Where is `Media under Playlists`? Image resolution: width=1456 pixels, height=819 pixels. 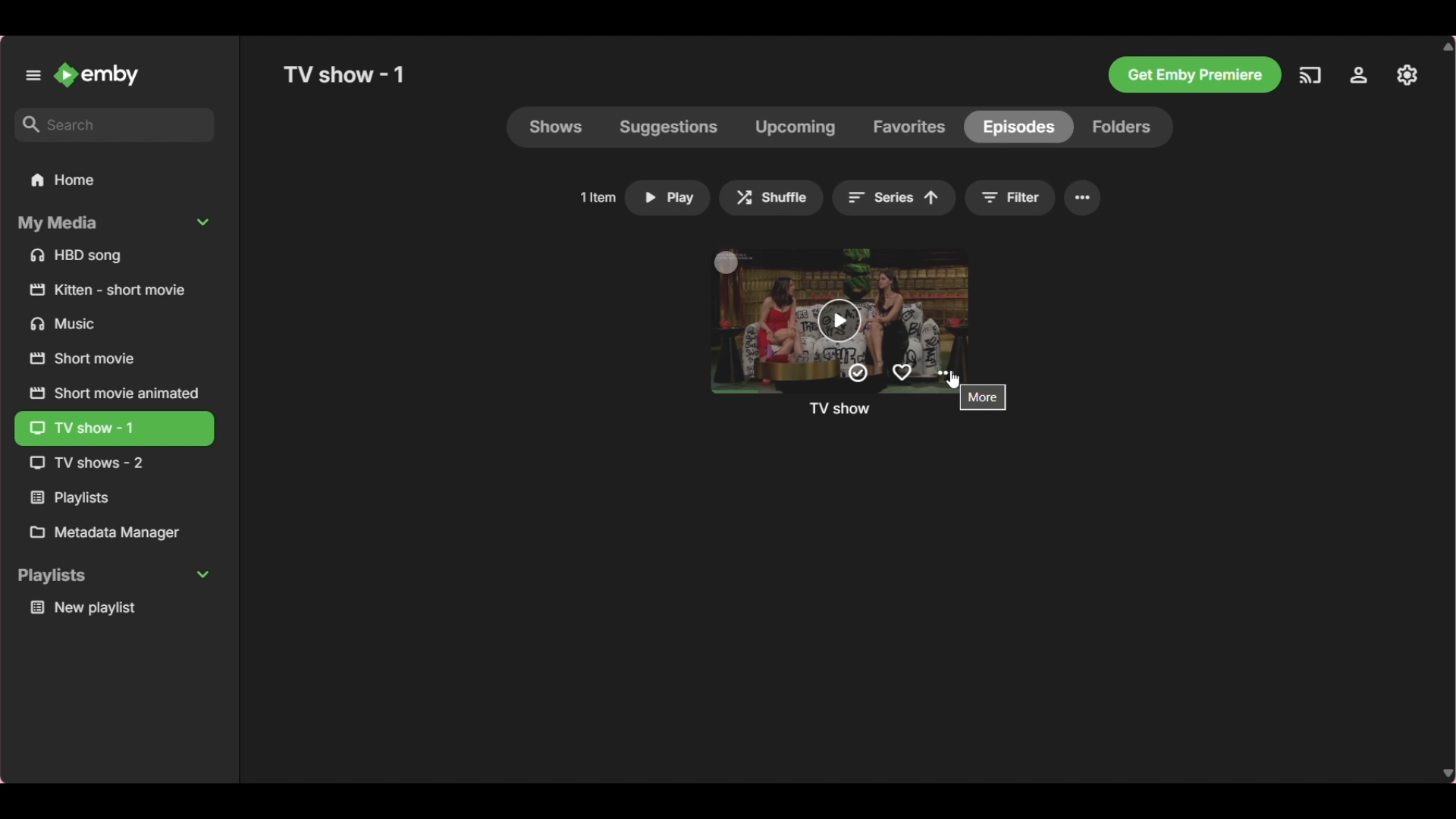 Media under Playlists is located at coordinates (115, 607).